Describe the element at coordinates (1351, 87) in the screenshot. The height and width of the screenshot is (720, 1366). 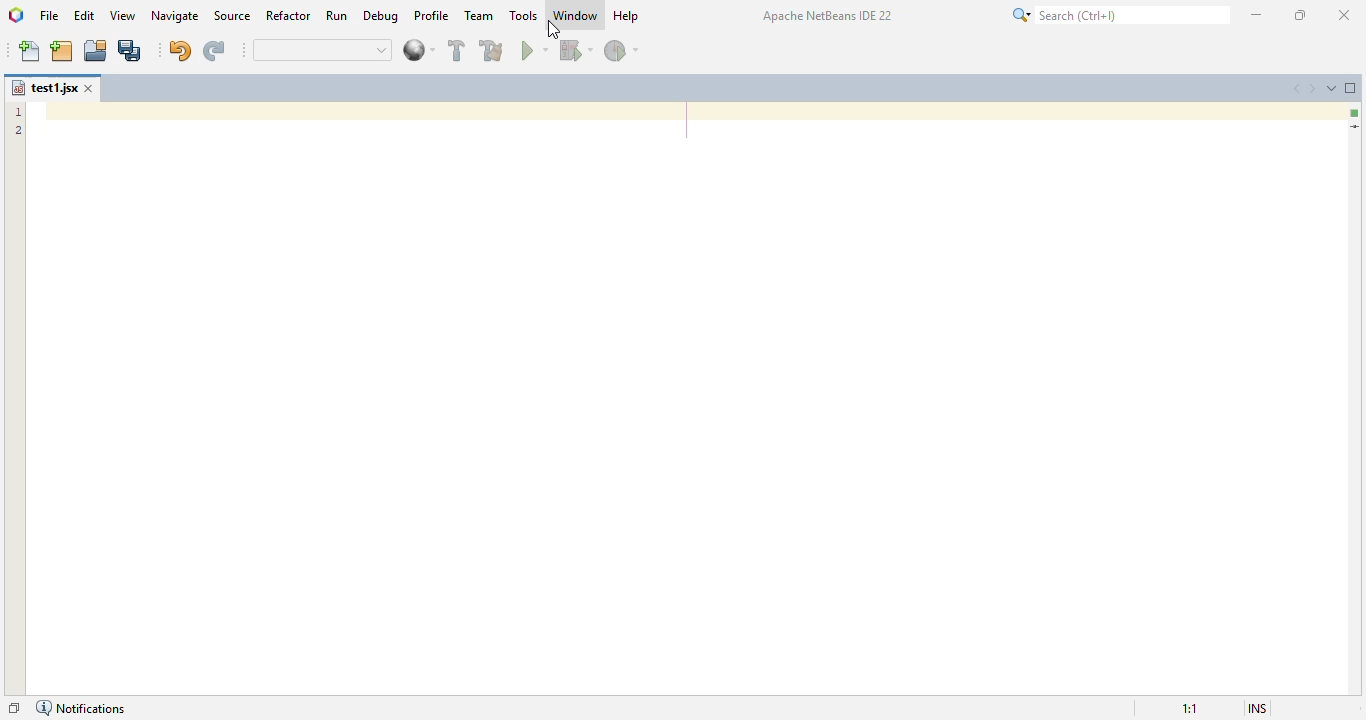
I see `maximize window` at that location.